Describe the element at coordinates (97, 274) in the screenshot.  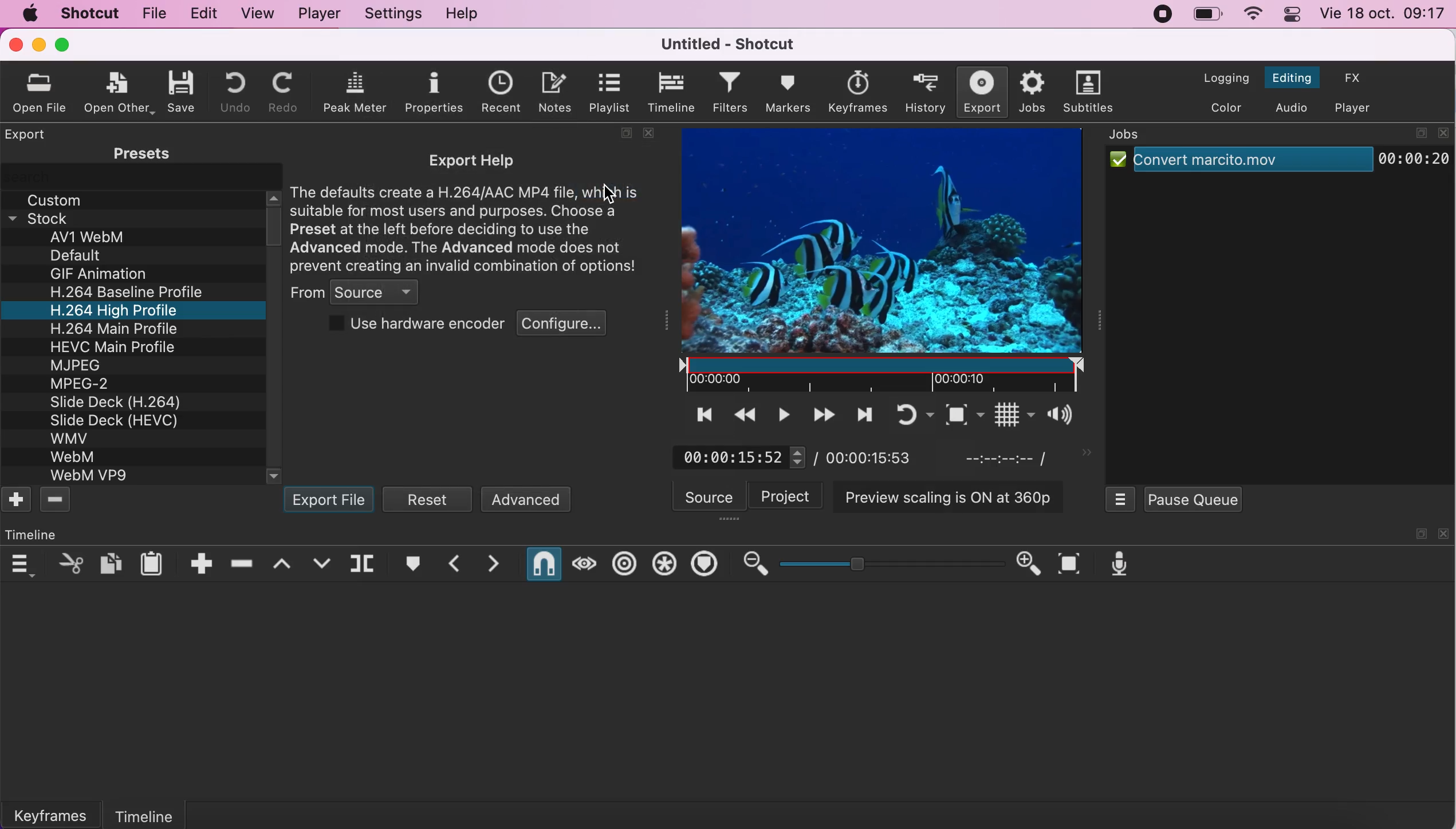
I see `GIF Animation` at that location.